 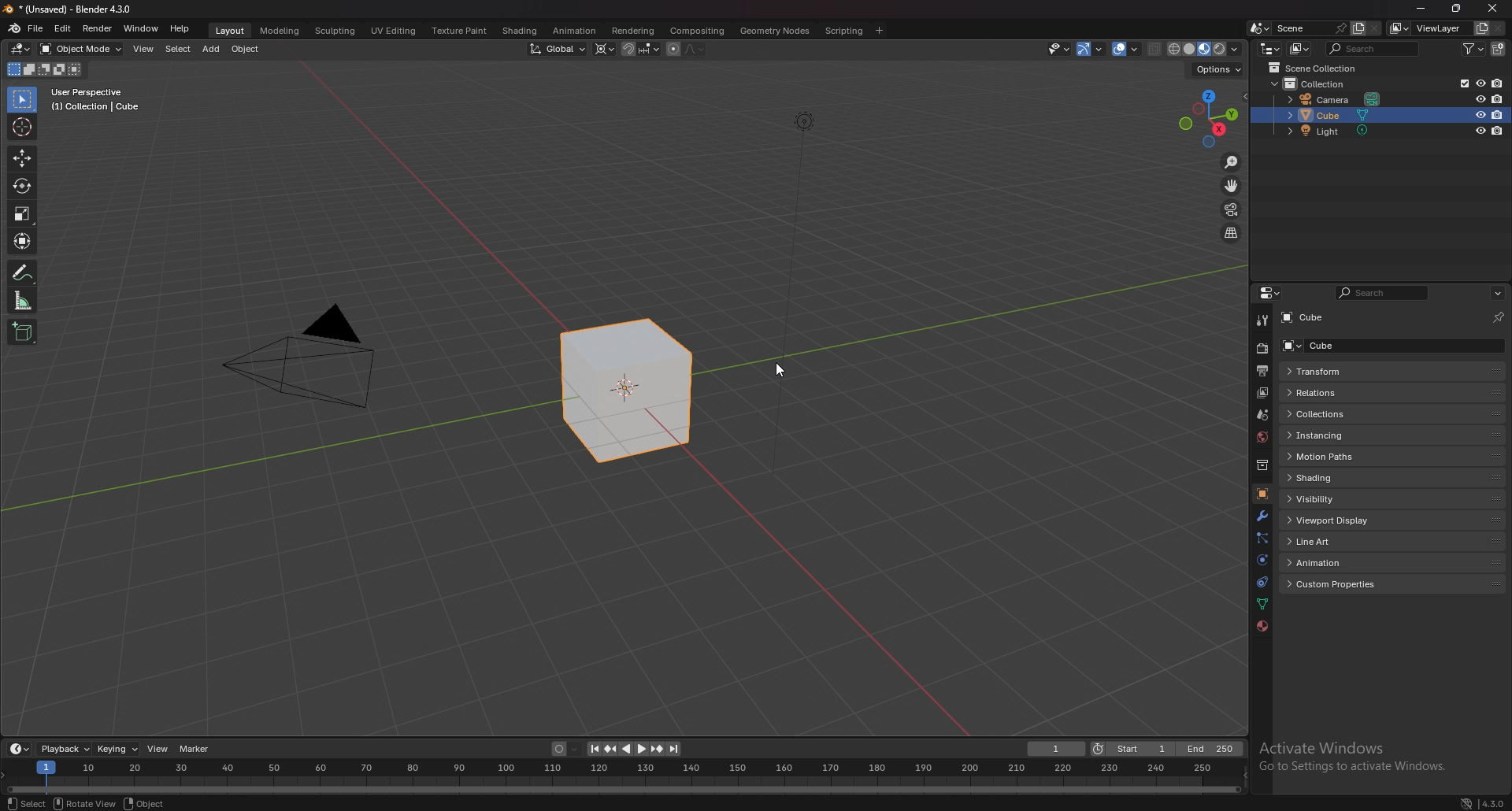 What do you see at coordinates (521, 31) in the screenshot?
I see `shading` at bounding box center [521, 31].